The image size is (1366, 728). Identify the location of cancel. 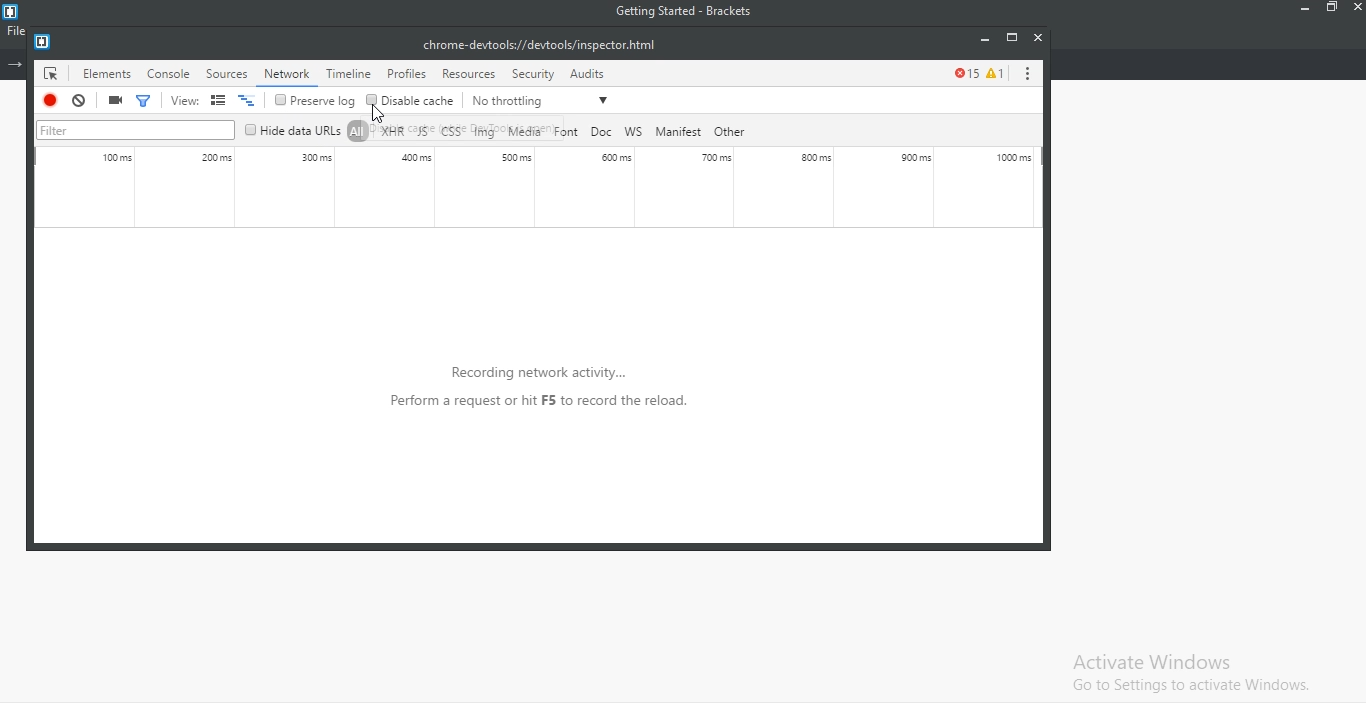
(79, 101).